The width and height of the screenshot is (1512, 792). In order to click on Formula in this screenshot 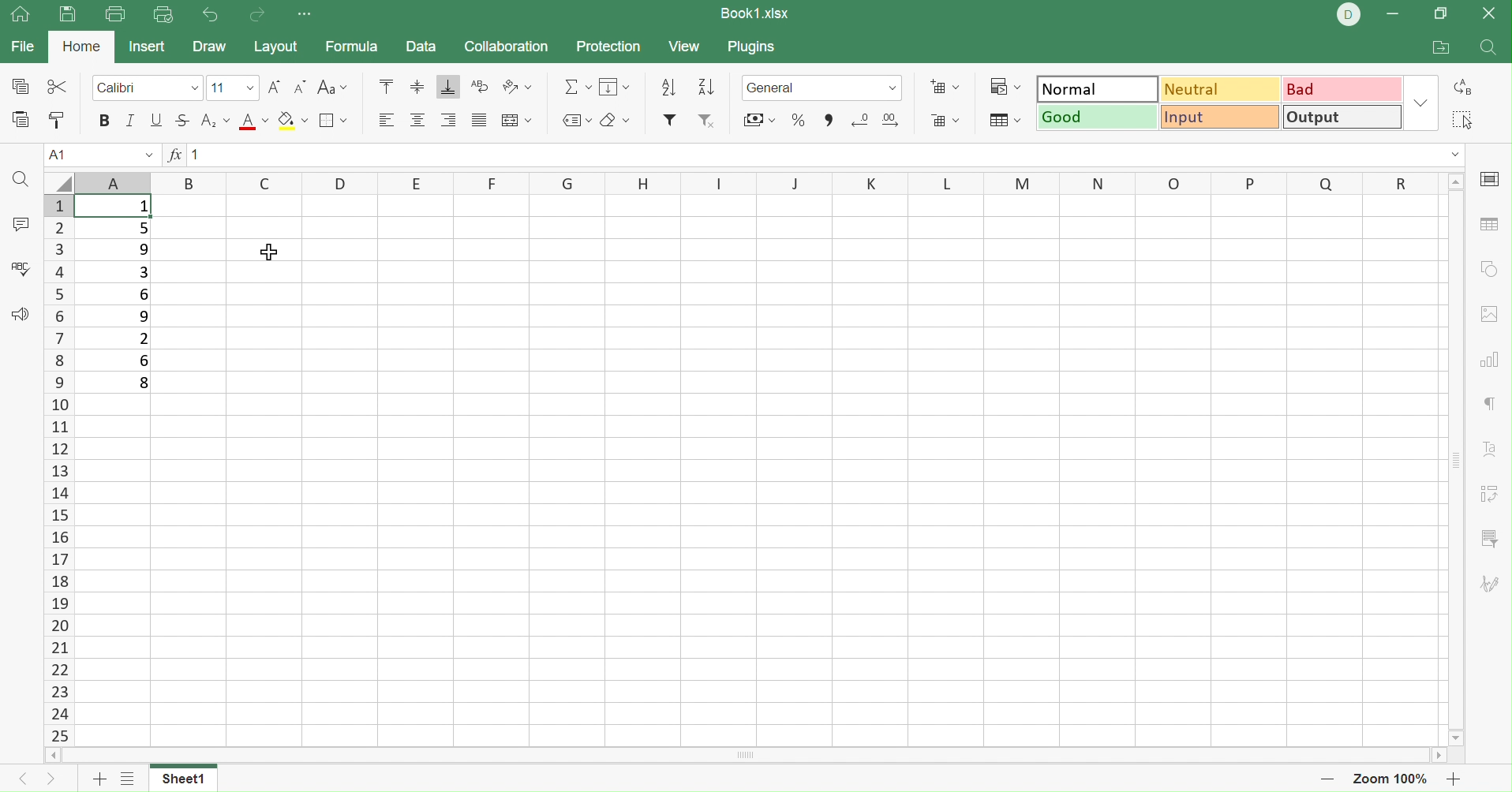, I will do `click(352, 47)`.